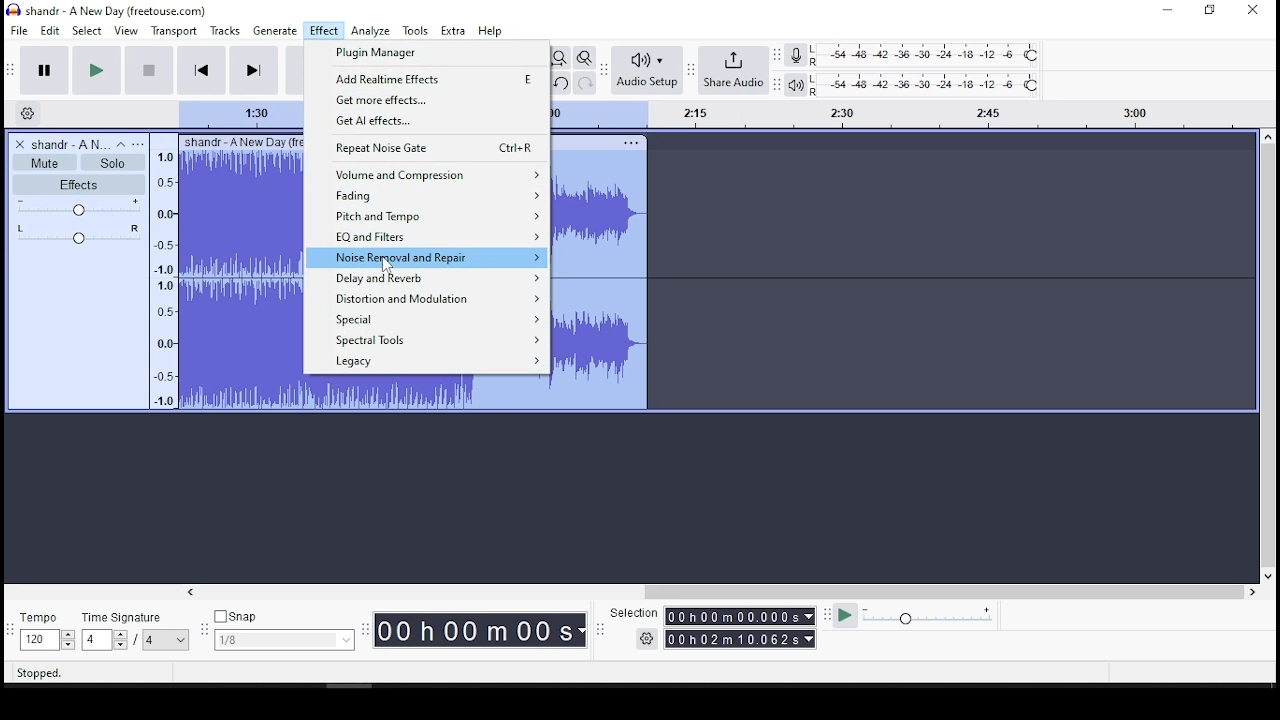  I want to click on effect, so click(325, 30).